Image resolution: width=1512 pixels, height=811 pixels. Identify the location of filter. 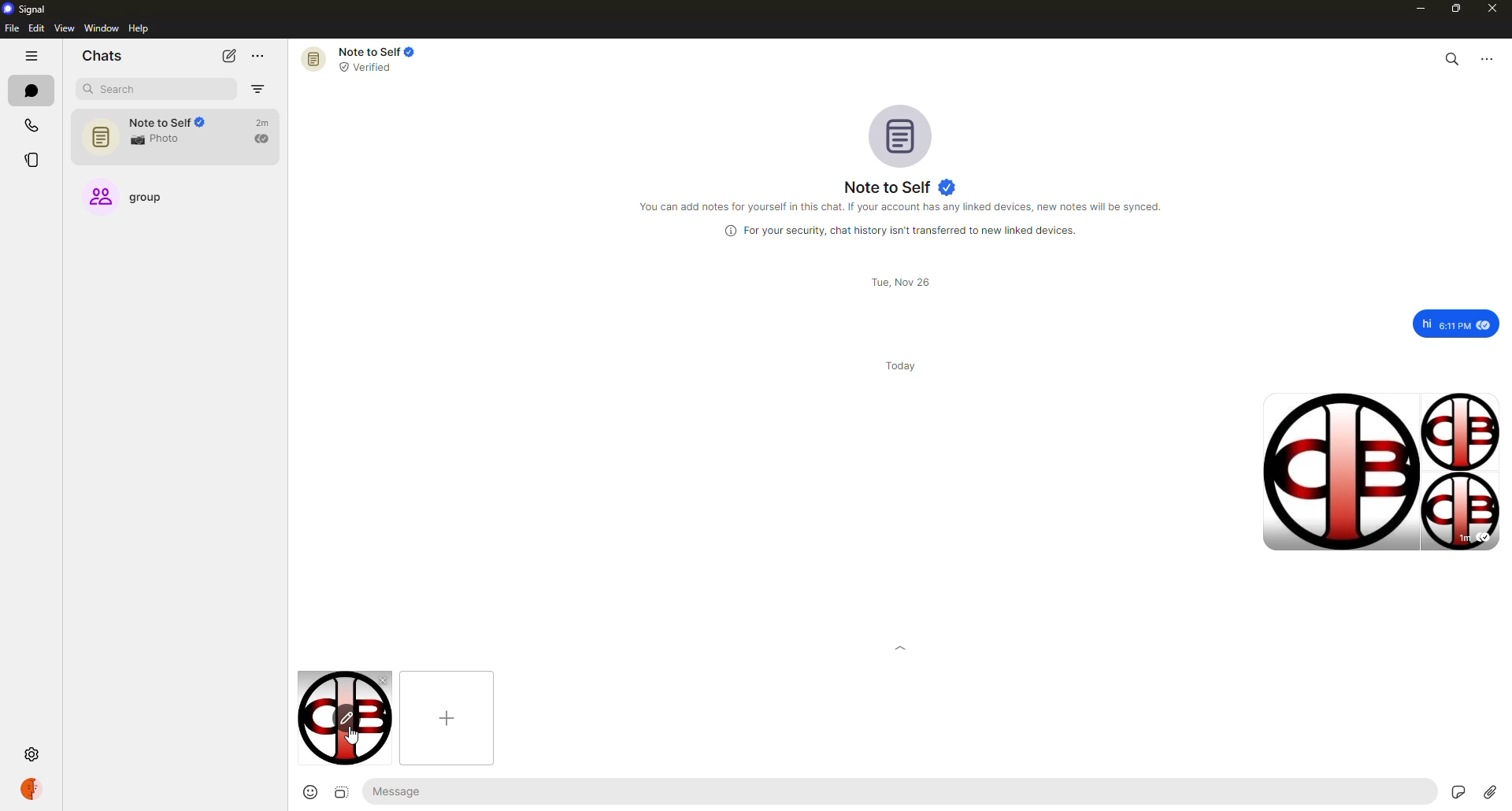
(258, 89).